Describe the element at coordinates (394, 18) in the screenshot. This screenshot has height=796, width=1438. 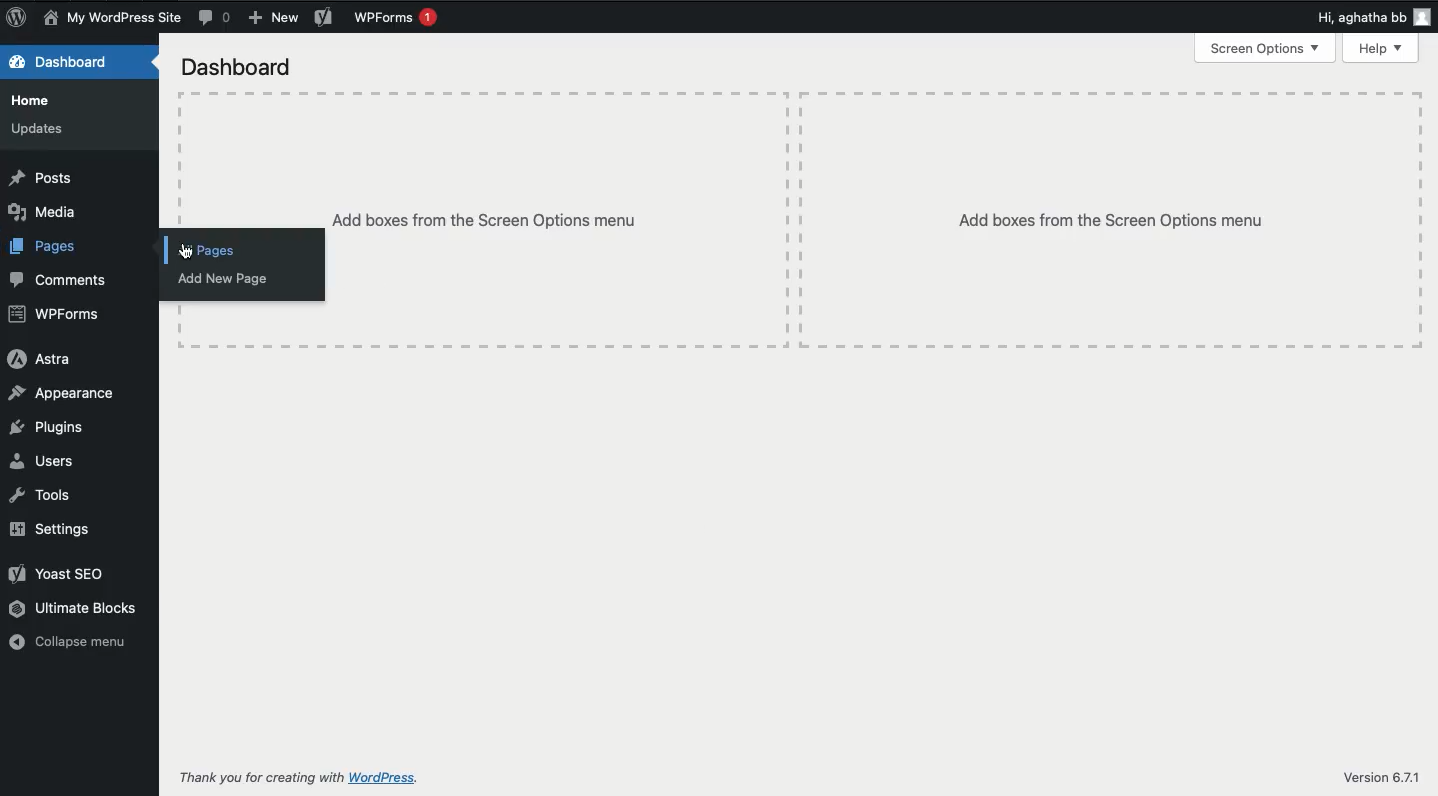
I see `WPForms` at that location.